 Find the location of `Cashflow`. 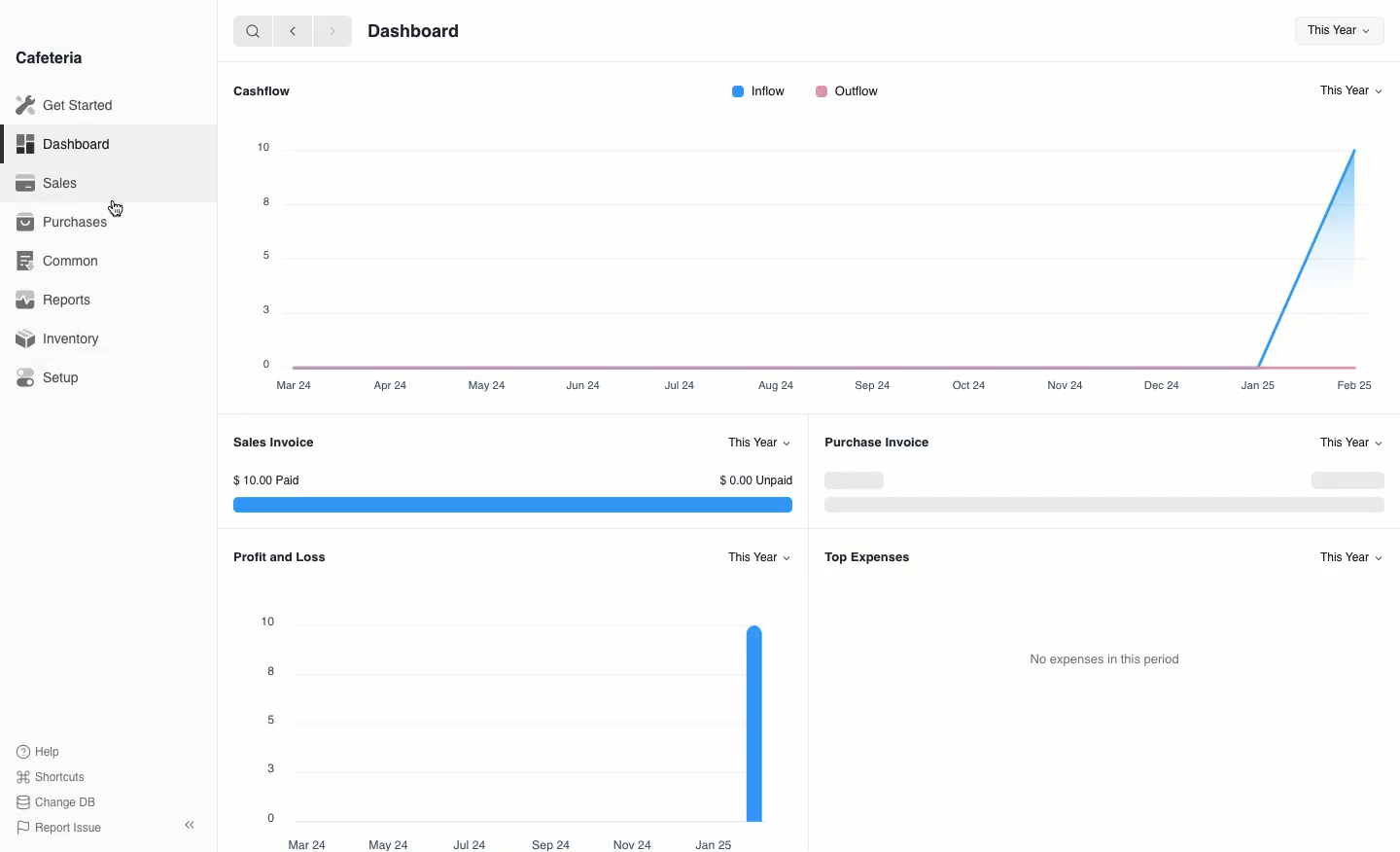

Cashflow is located at coordinates (263, 92).